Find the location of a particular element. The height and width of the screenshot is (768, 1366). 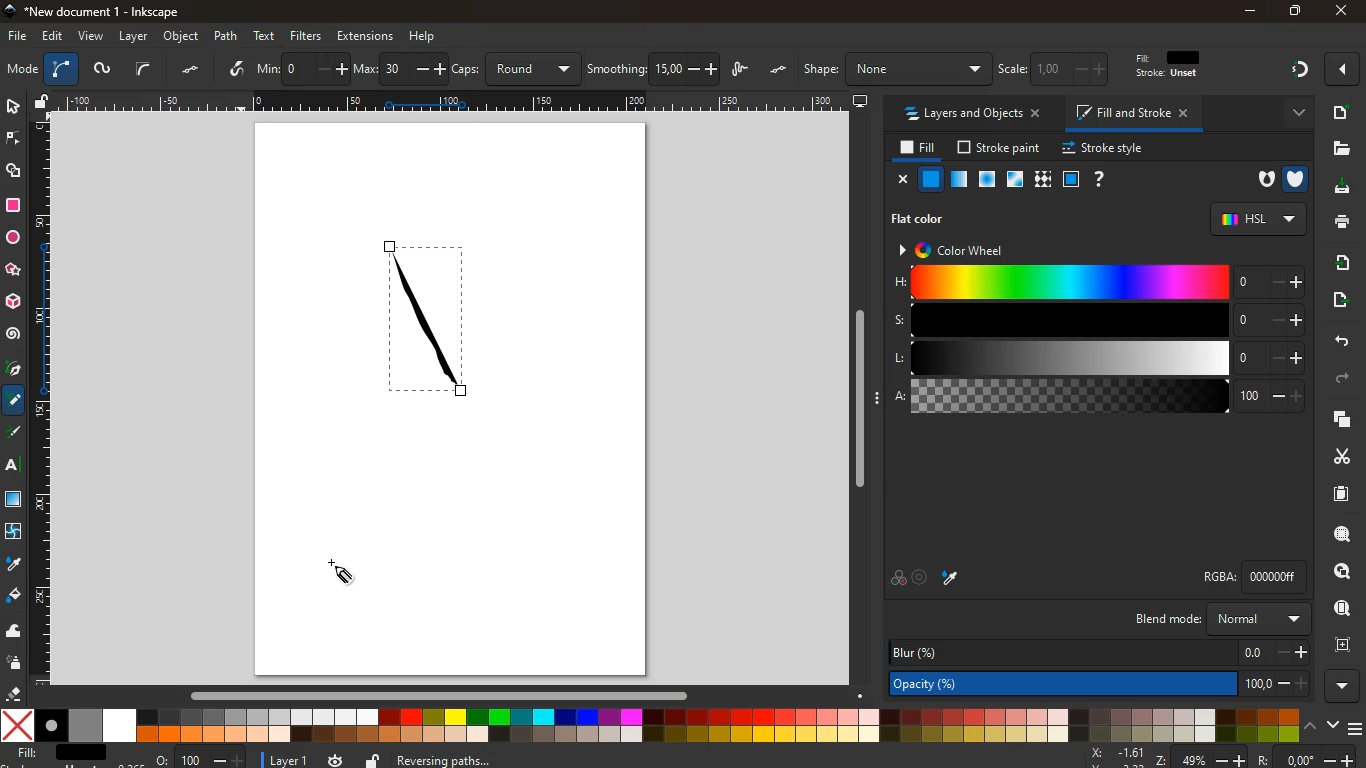

flat color is located at coordinates (920, 220).